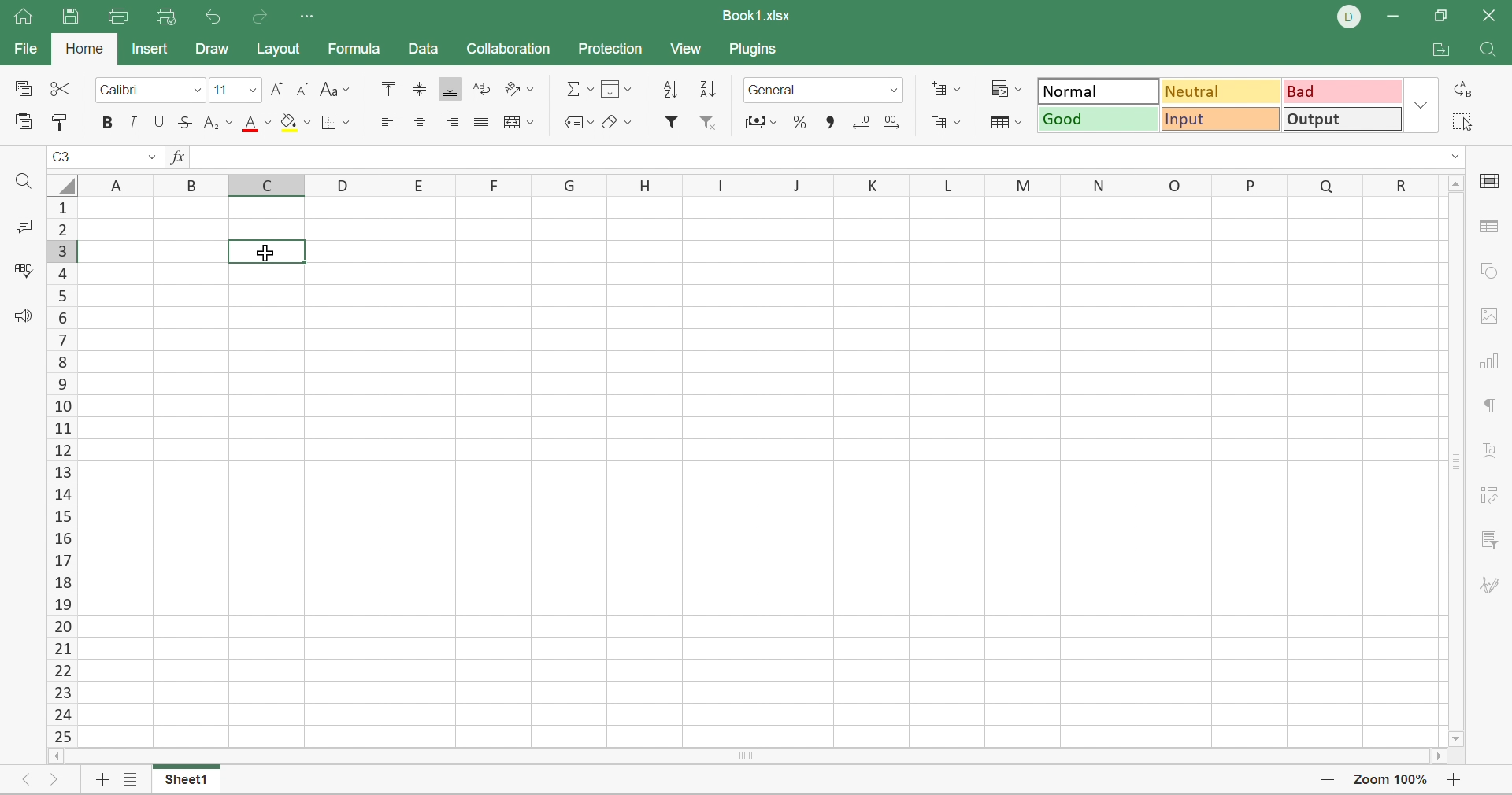 Image resolution: width=1512 pixels, height=795 pixels. What do you see at coordinates (258, 19) in the screenshot?
I see `Redo` at bounding box center [258, 19].